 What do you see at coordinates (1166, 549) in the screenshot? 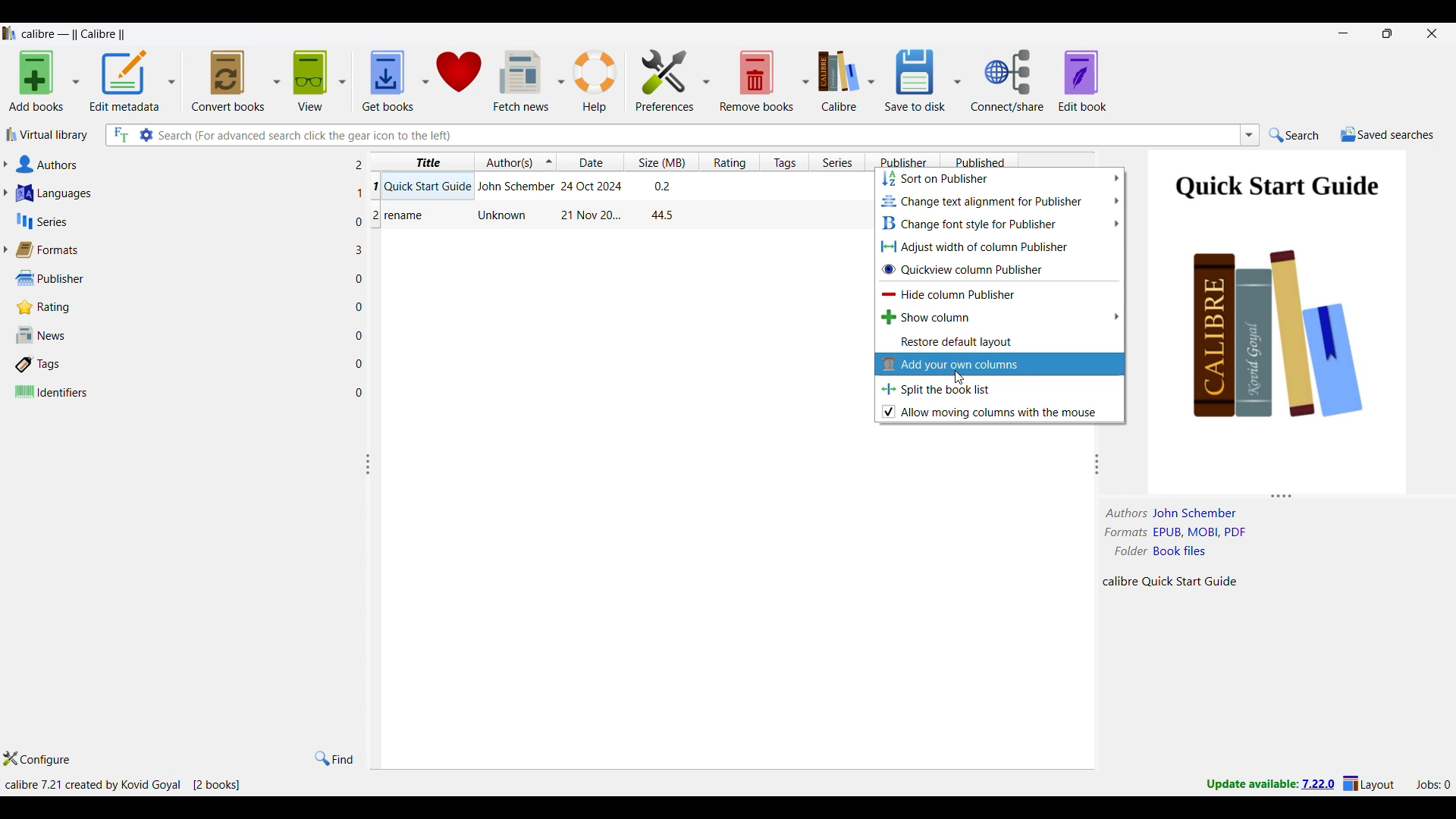
I see `Folder` at bounding box center [1166, 549].